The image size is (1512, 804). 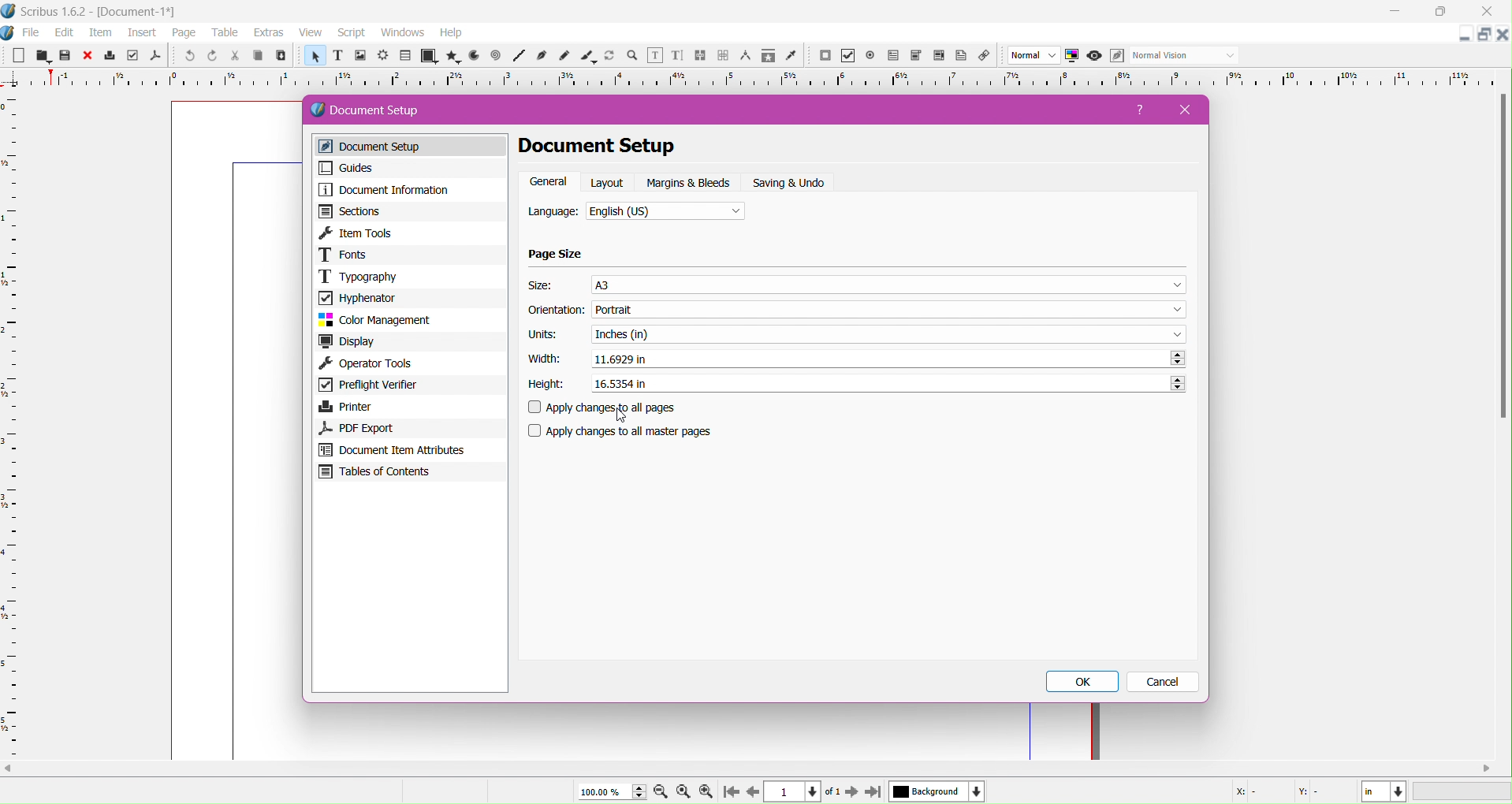 What do you see at coordinates (451, 33) in the screenshot?
I see `help menu` at bounding box center [451, 33].